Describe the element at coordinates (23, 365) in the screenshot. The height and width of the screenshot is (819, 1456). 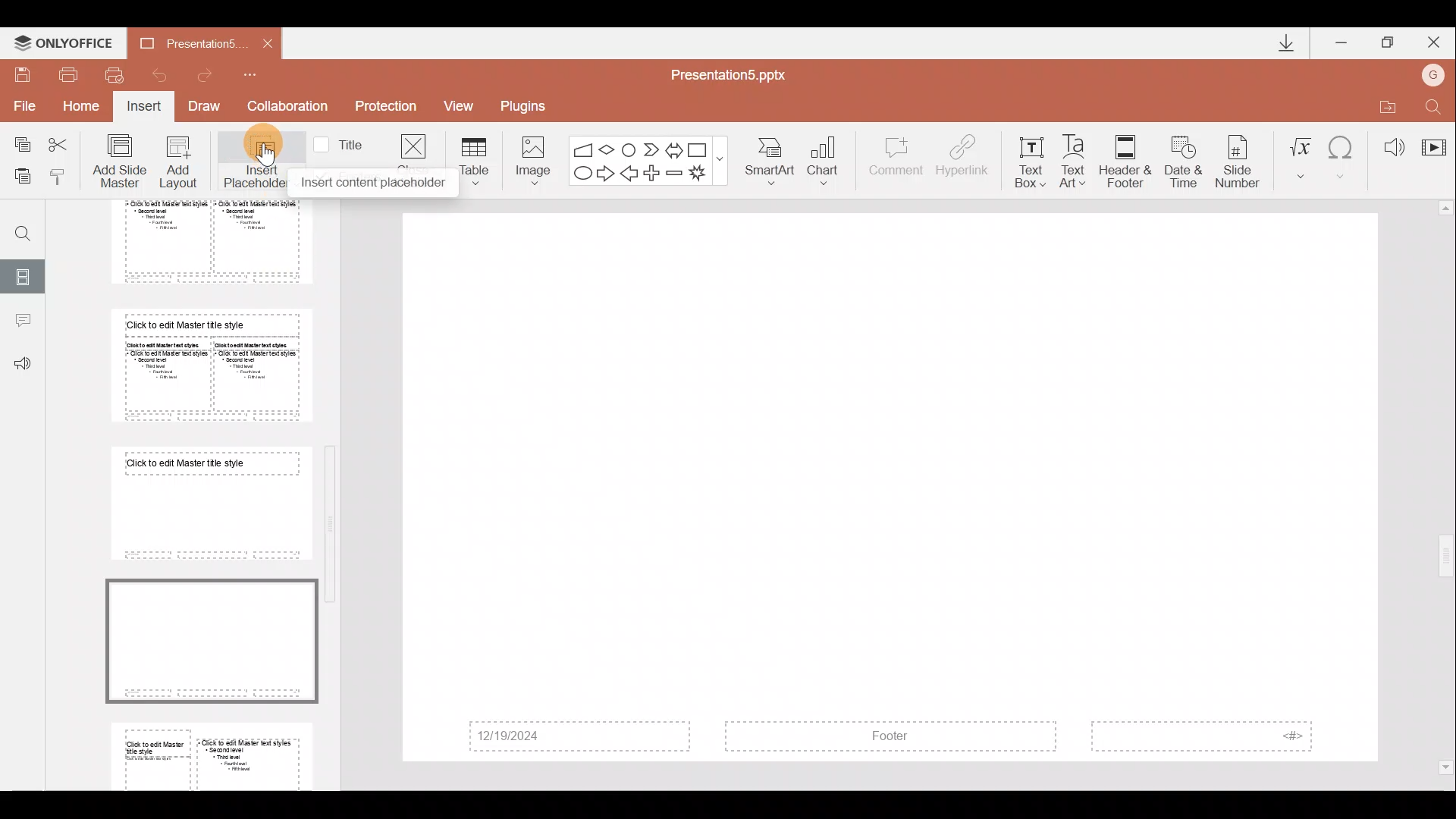
I see `Feedback & support` at that location.